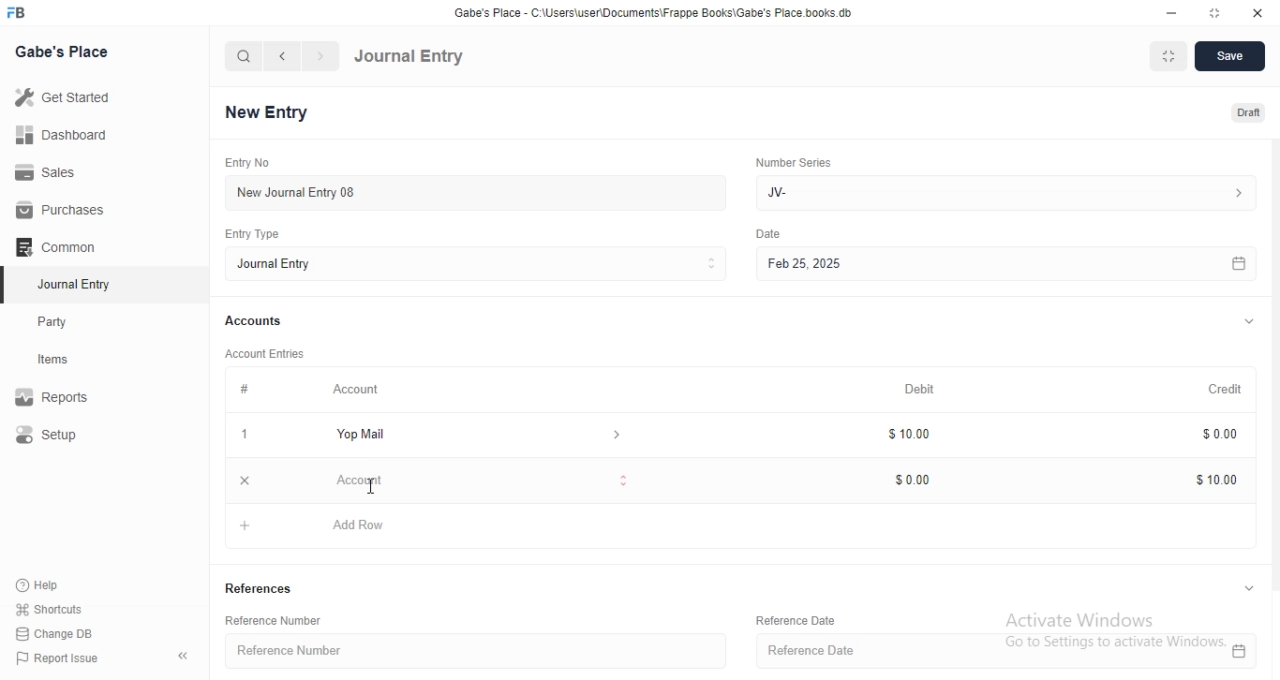  Describe the element at coordinates (244, 57) in the screenshot. I see `search` at that location.